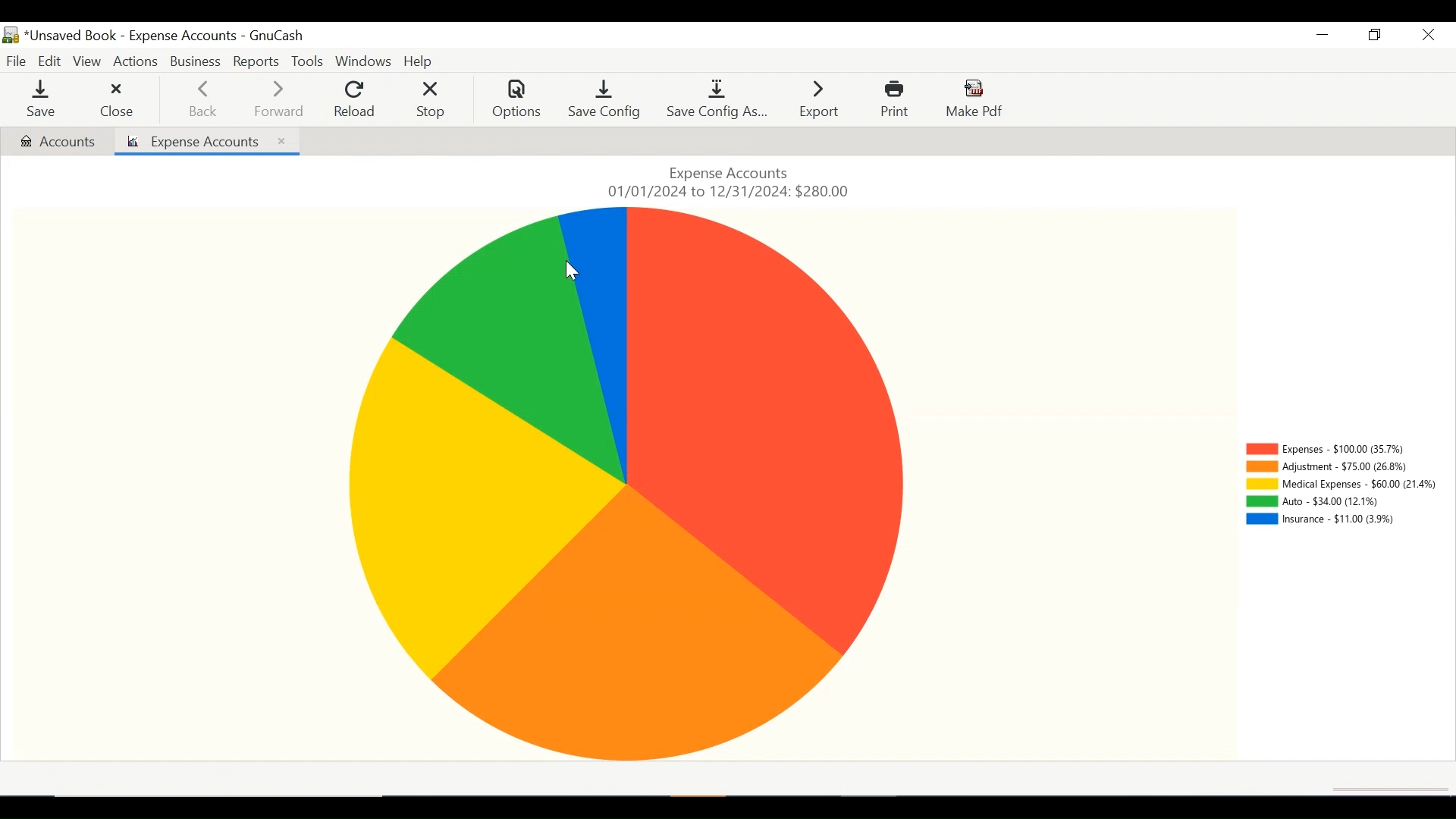  What do you see at coordinates (979, 101) in the screenshot?
I see `Make Pdf` at bounding box center [979, 101].